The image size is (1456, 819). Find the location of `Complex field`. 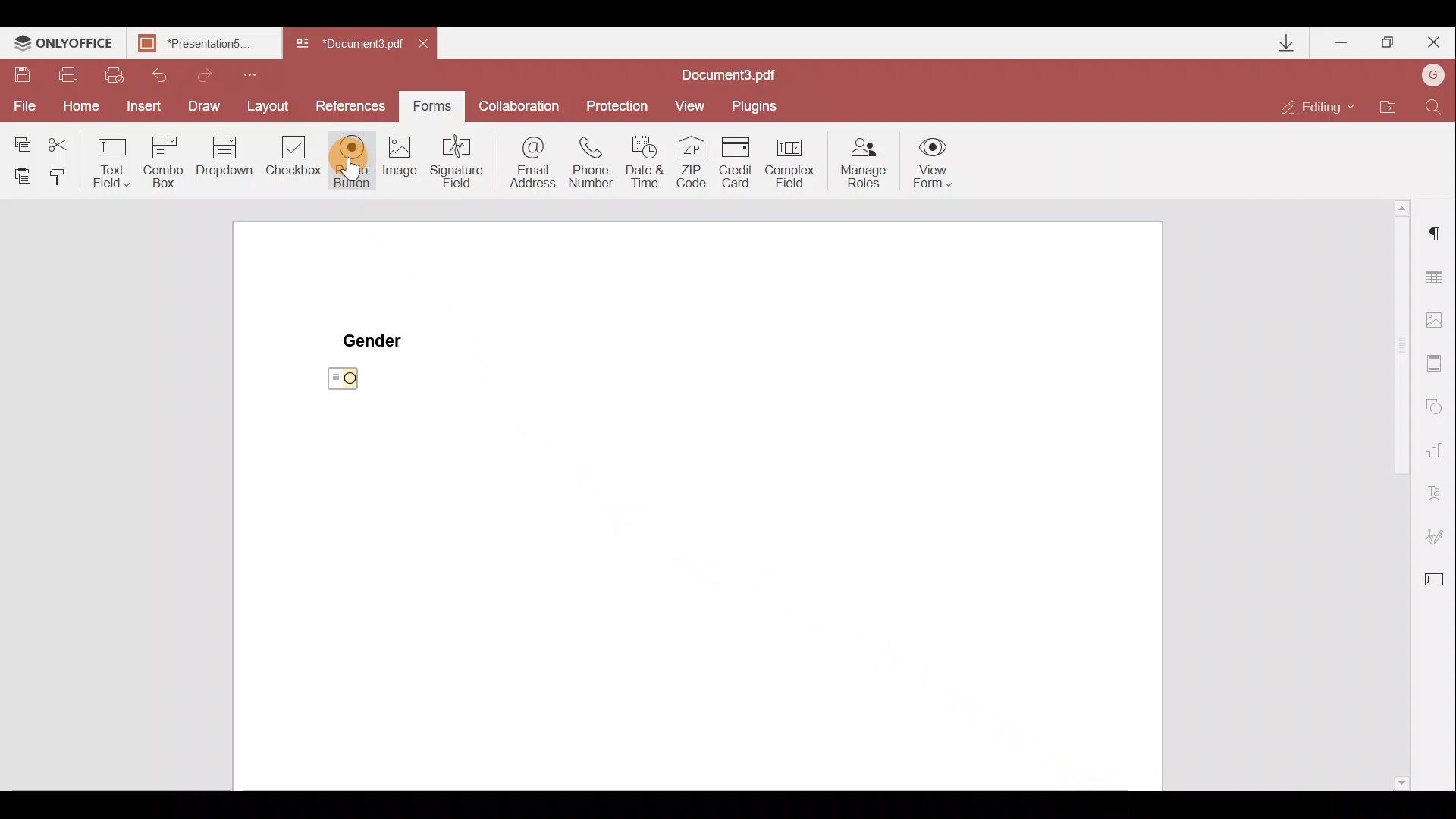

Complex field is located at coordinates (795, 160).